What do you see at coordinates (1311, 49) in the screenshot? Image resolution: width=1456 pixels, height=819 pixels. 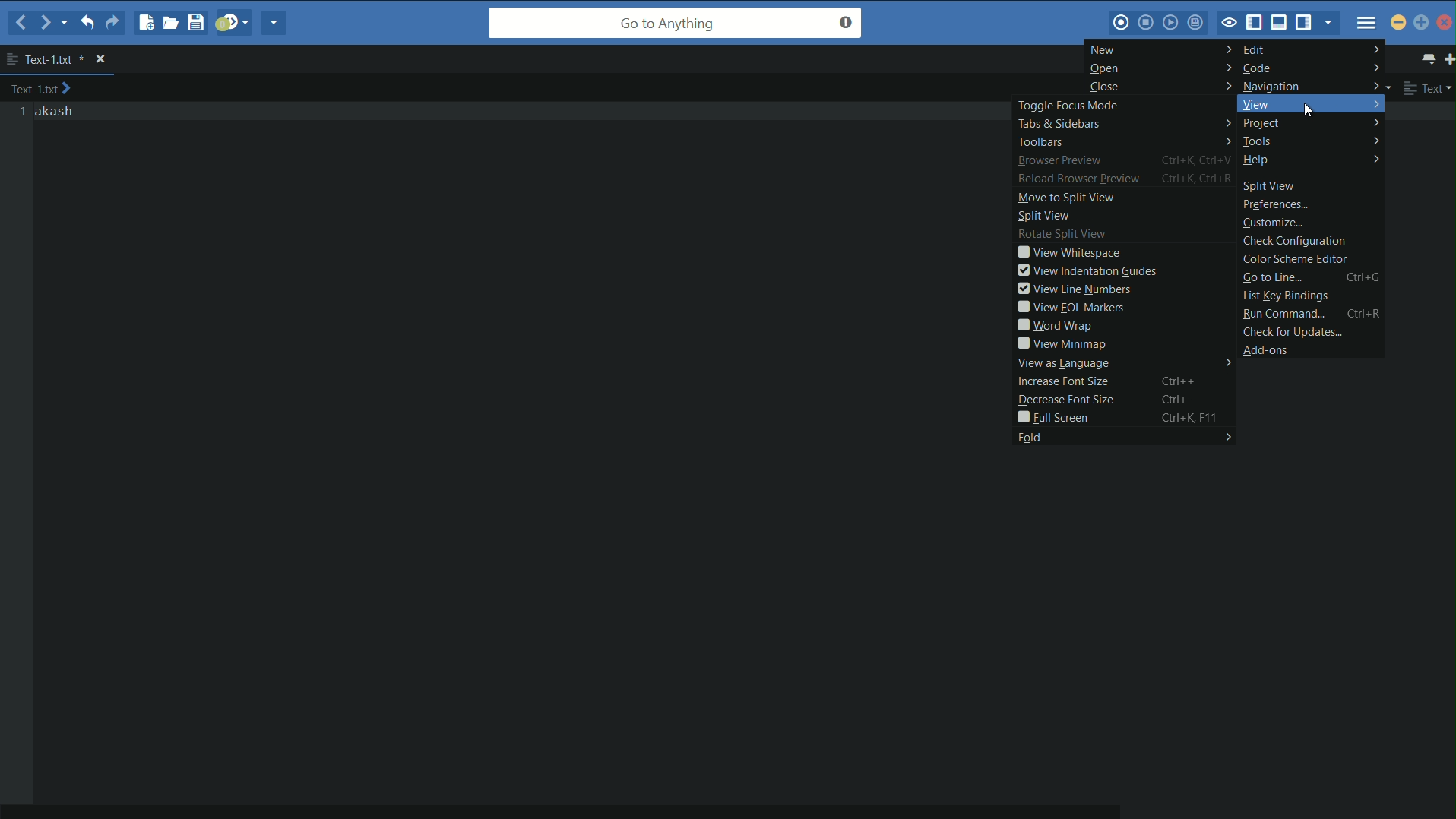 I see `edit` at bounding box center [1311, 49].